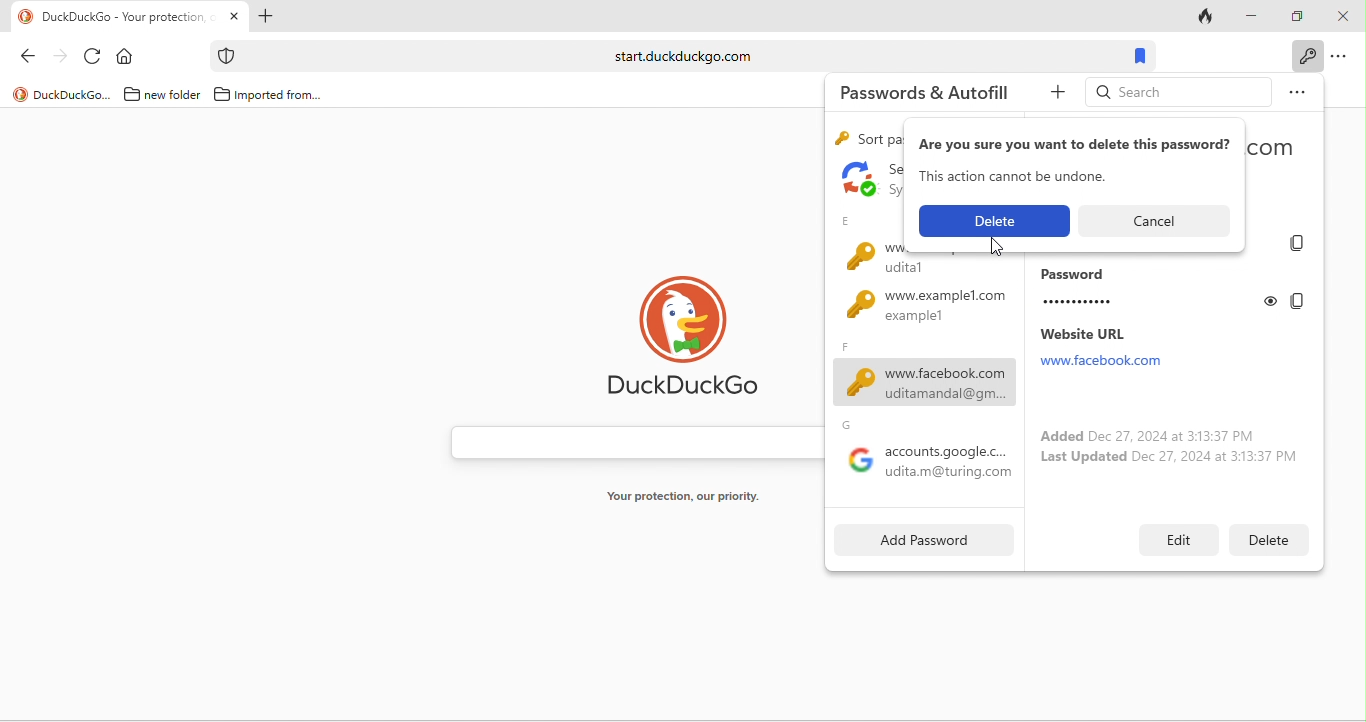  What do you see at coordinates (1260, 539) in the screenshot?
I see `delete` at bounding box center [1260, 539].